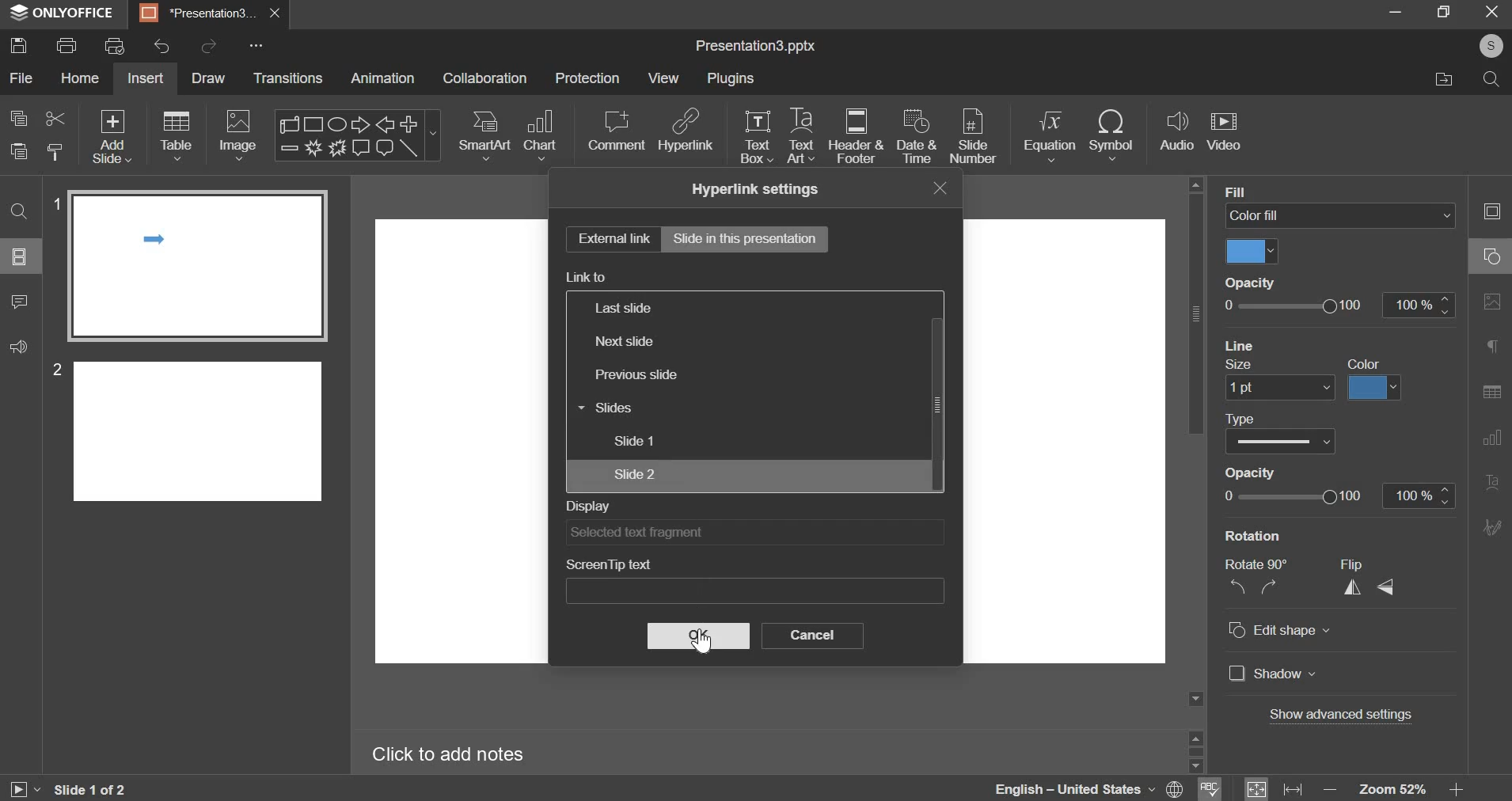  What do you see at coordinates (1293, 790) in the screenshot?
I see `fit to width` at bounding box center [1293, 790].